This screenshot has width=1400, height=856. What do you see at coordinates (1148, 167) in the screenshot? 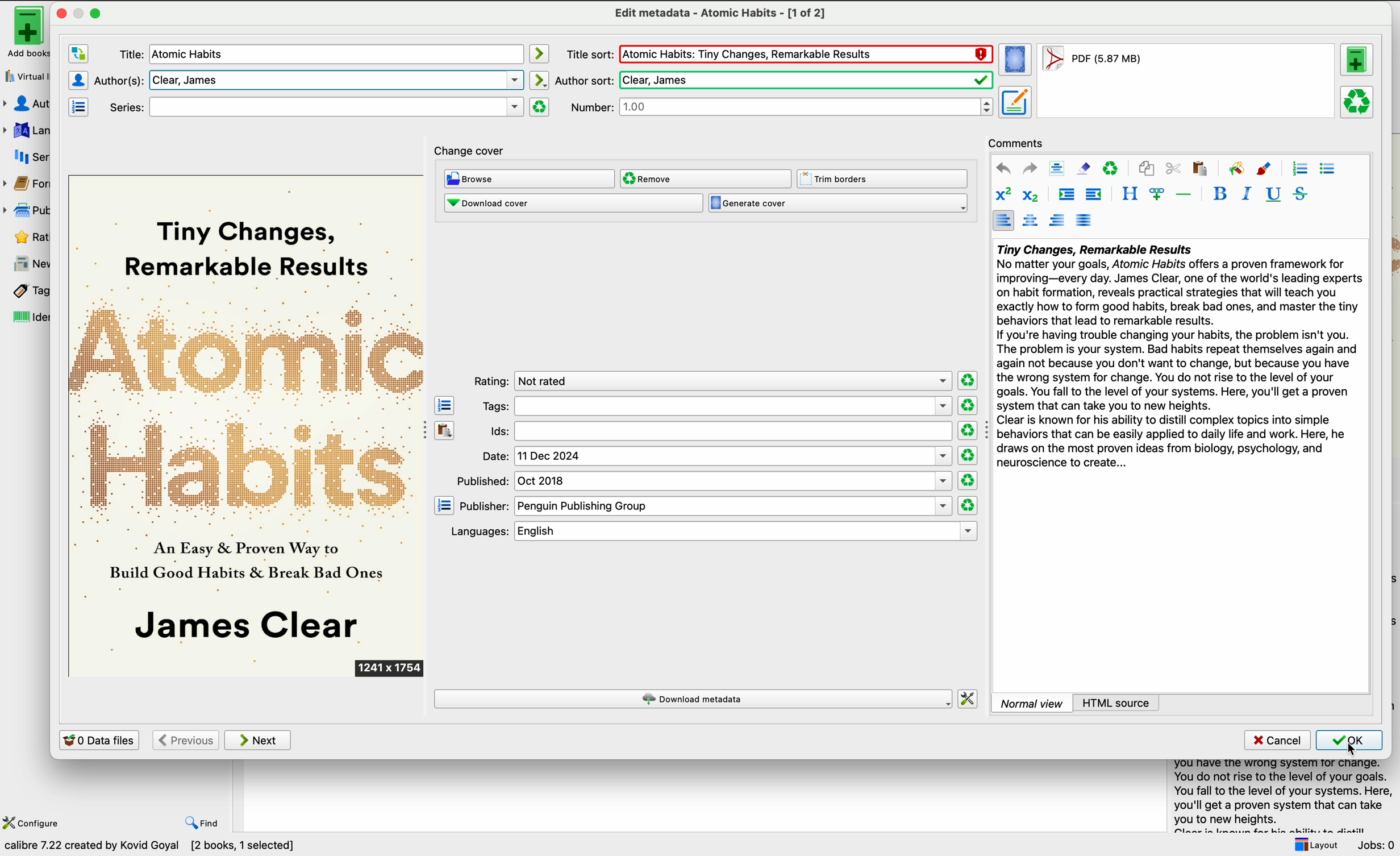
I see `copy` at bounding box center [1148, 167].